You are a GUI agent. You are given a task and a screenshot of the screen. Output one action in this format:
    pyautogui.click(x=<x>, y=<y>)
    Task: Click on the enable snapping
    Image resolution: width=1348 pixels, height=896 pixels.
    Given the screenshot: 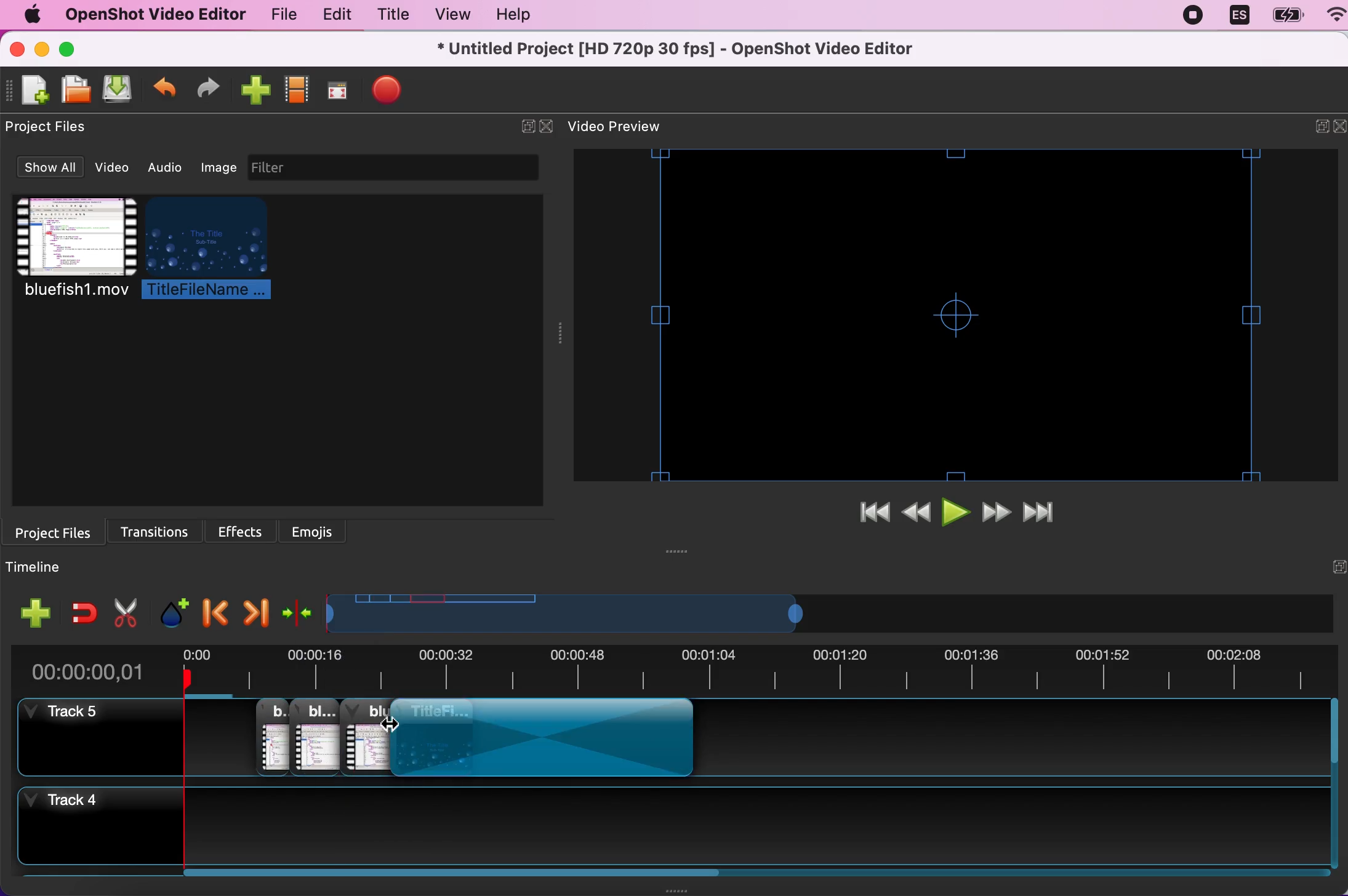 What is the action you would take?
    pyautogui.click(x=84, y=612)
    